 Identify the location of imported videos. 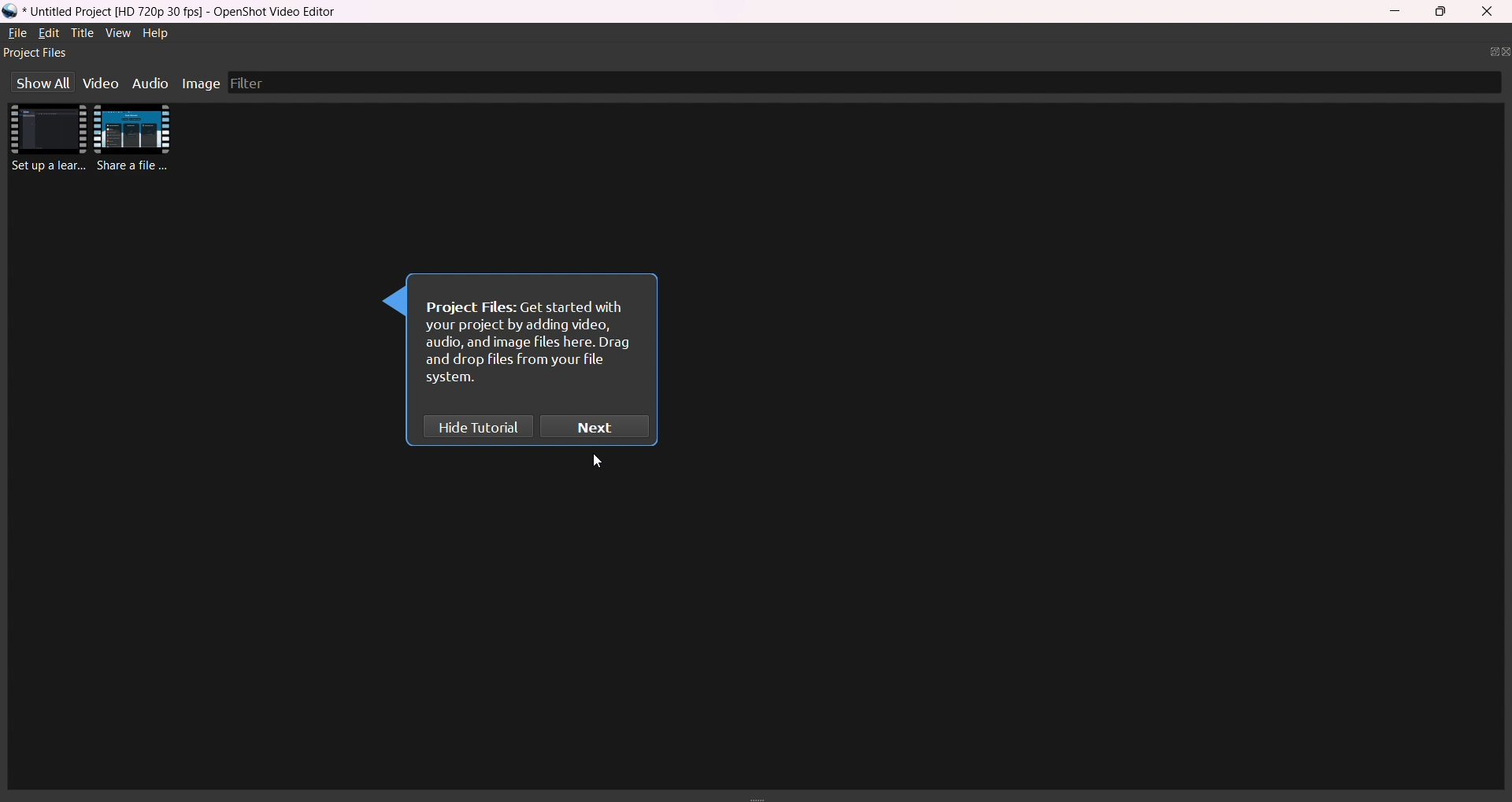
(47, 140).